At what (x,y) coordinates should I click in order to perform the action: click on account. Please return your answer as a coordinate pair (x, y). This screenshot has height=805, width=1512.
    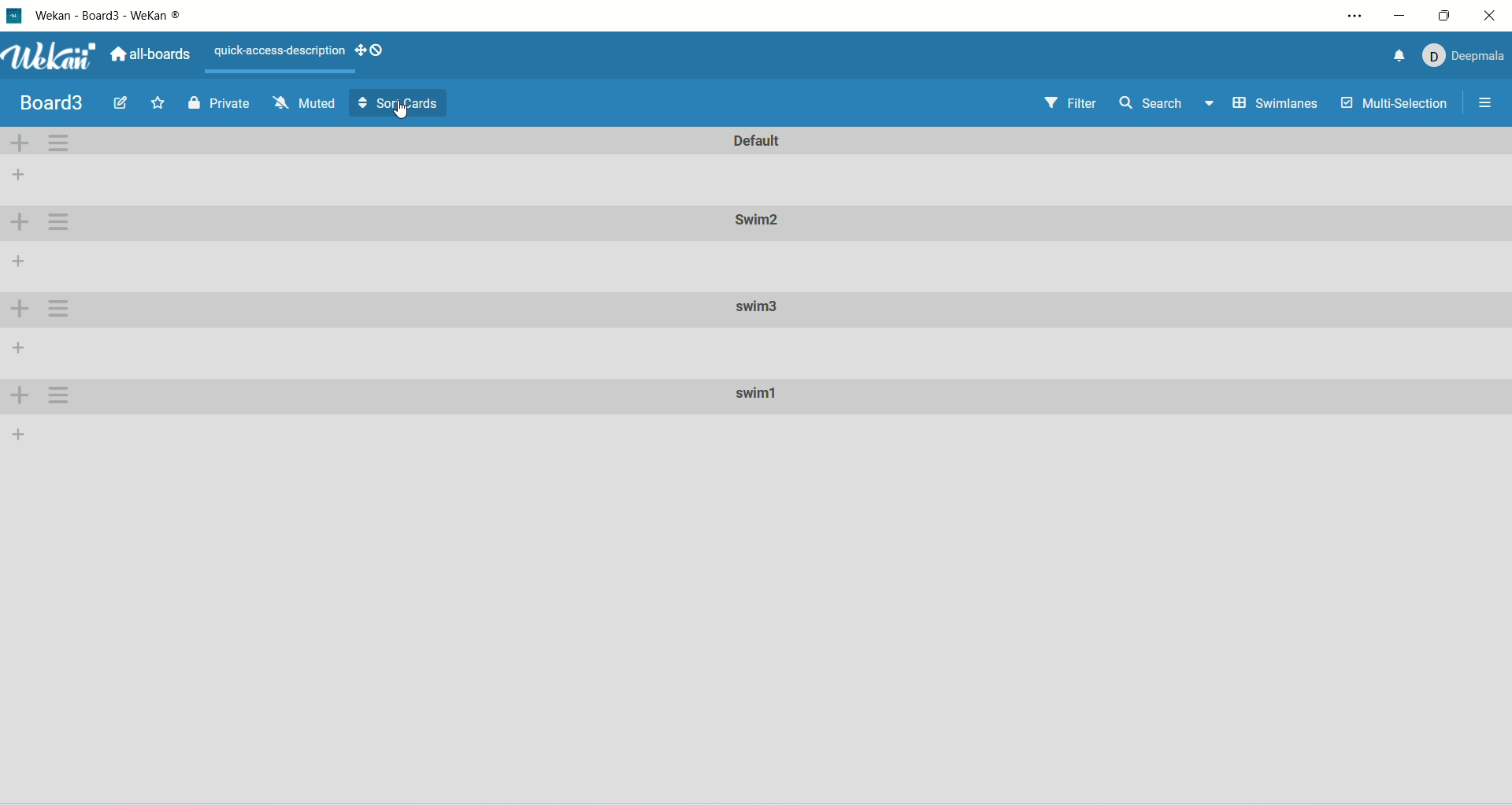
    Looking at the image, I should click on (1462, 54).